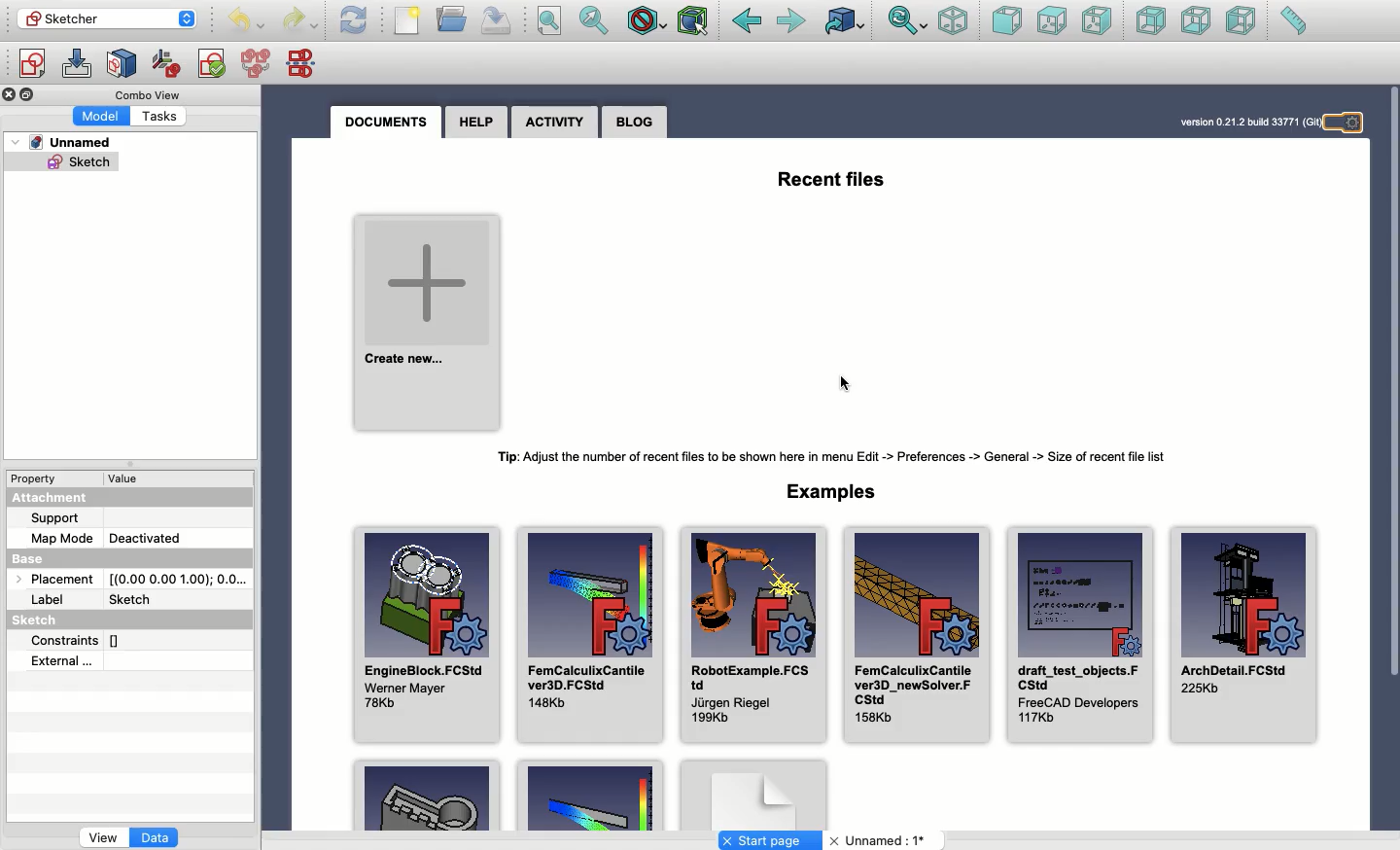 The height and width of the screenshot is (850, 1400). What do you see at coordinates (60, 517) in the screenshot?
I see `Support` at bounding box center [60, 517].